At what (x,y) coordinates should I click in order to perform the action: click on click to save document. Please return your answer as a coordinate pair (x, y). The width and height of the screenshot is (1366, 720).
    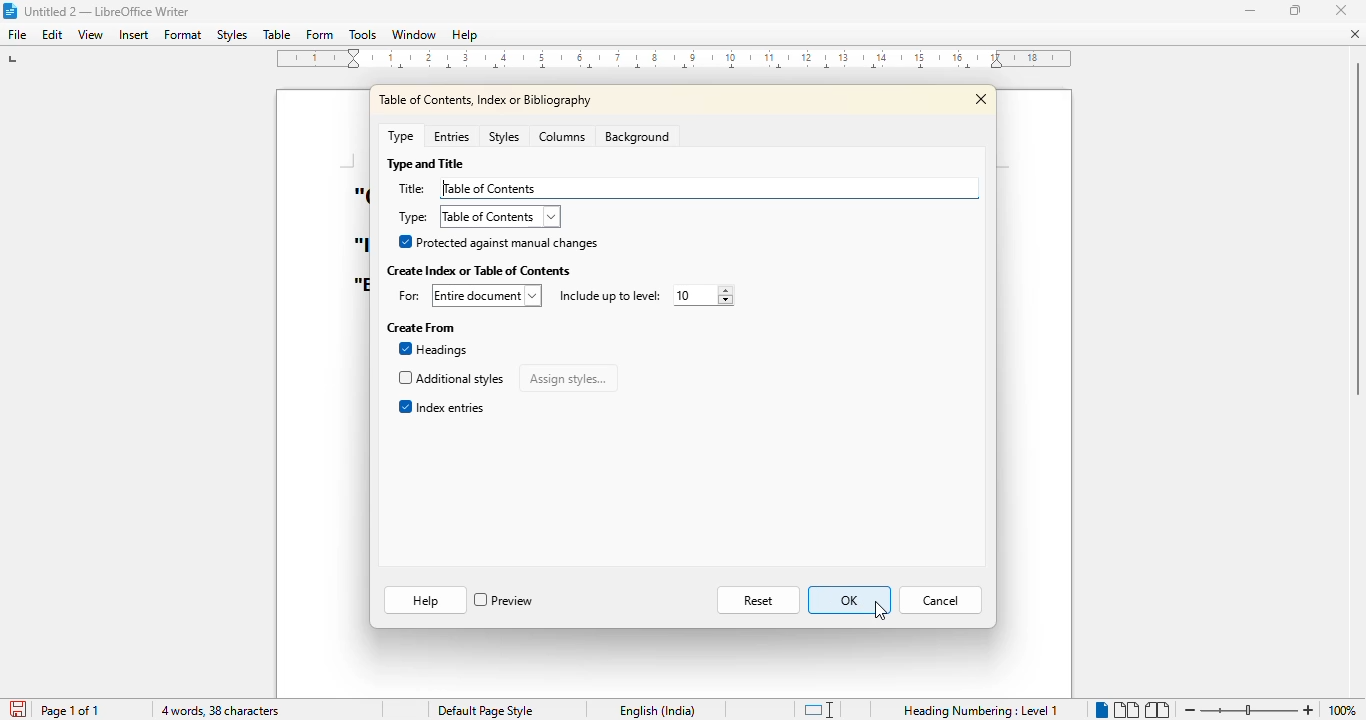
    Looking at the image, I should click on (17, 709).